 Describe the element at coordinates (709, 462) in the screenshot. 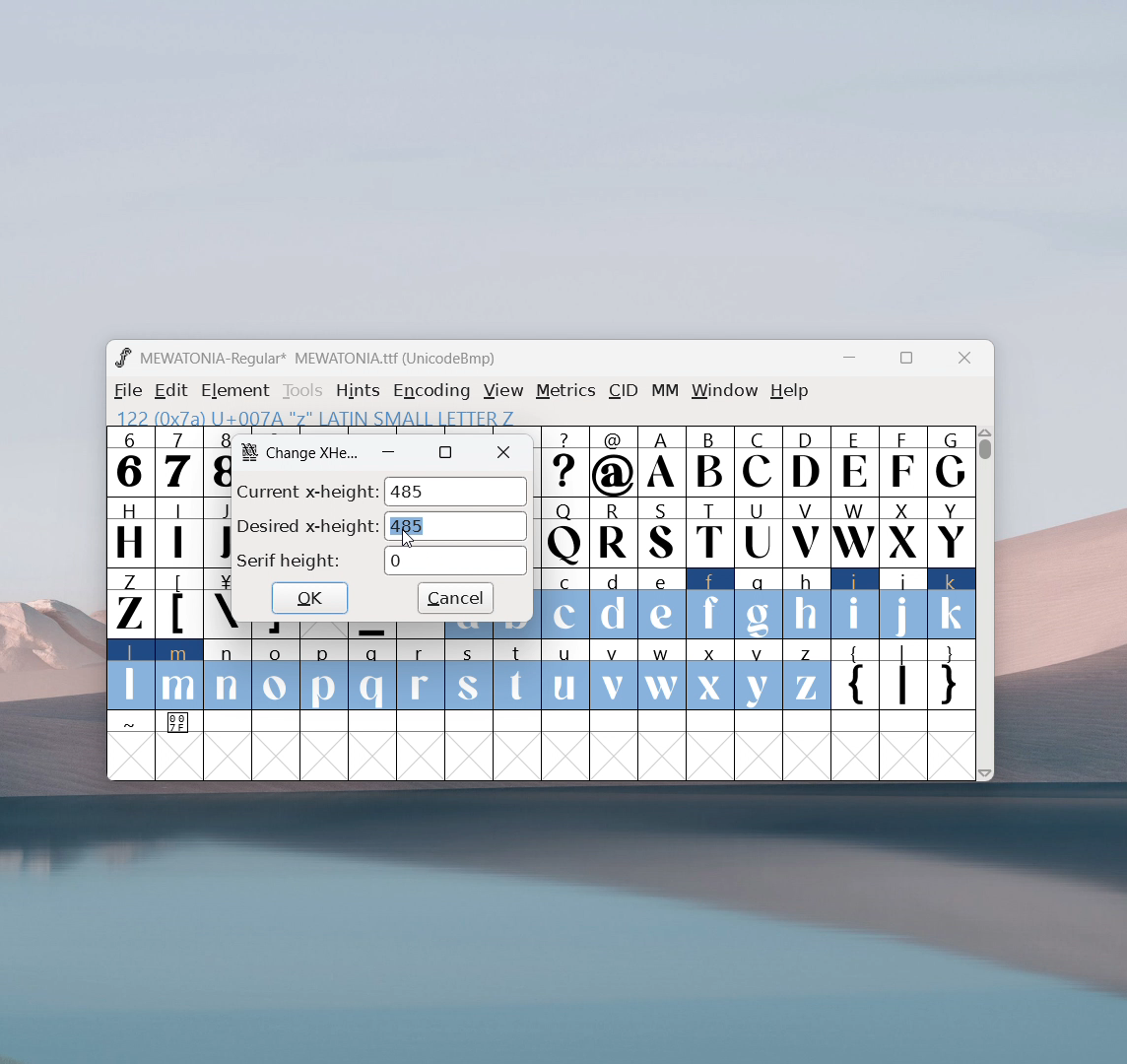

I see `B` at that location.